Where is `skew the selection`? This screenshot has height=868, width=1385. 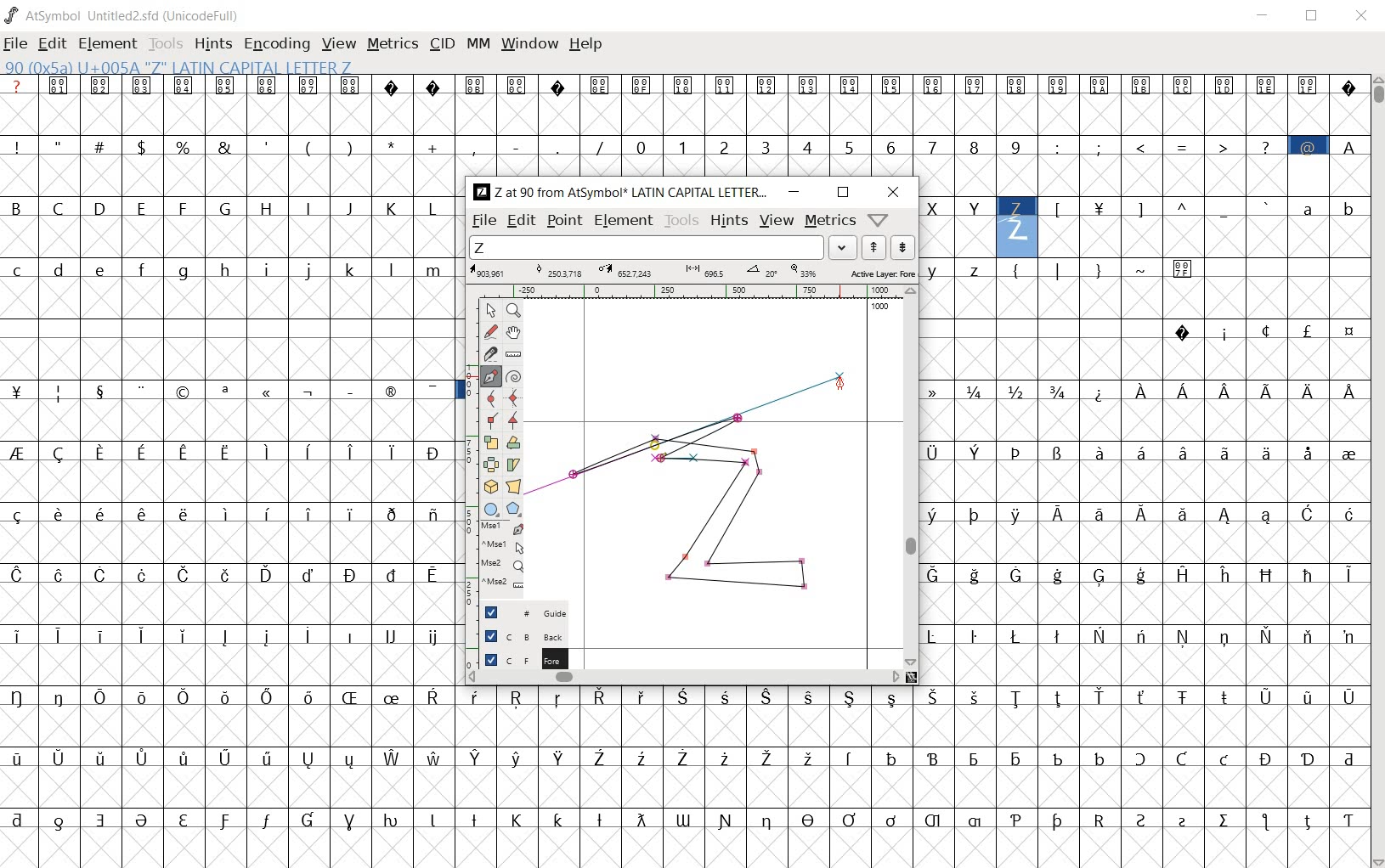 skew the selection is located at coordinates (513, 464).